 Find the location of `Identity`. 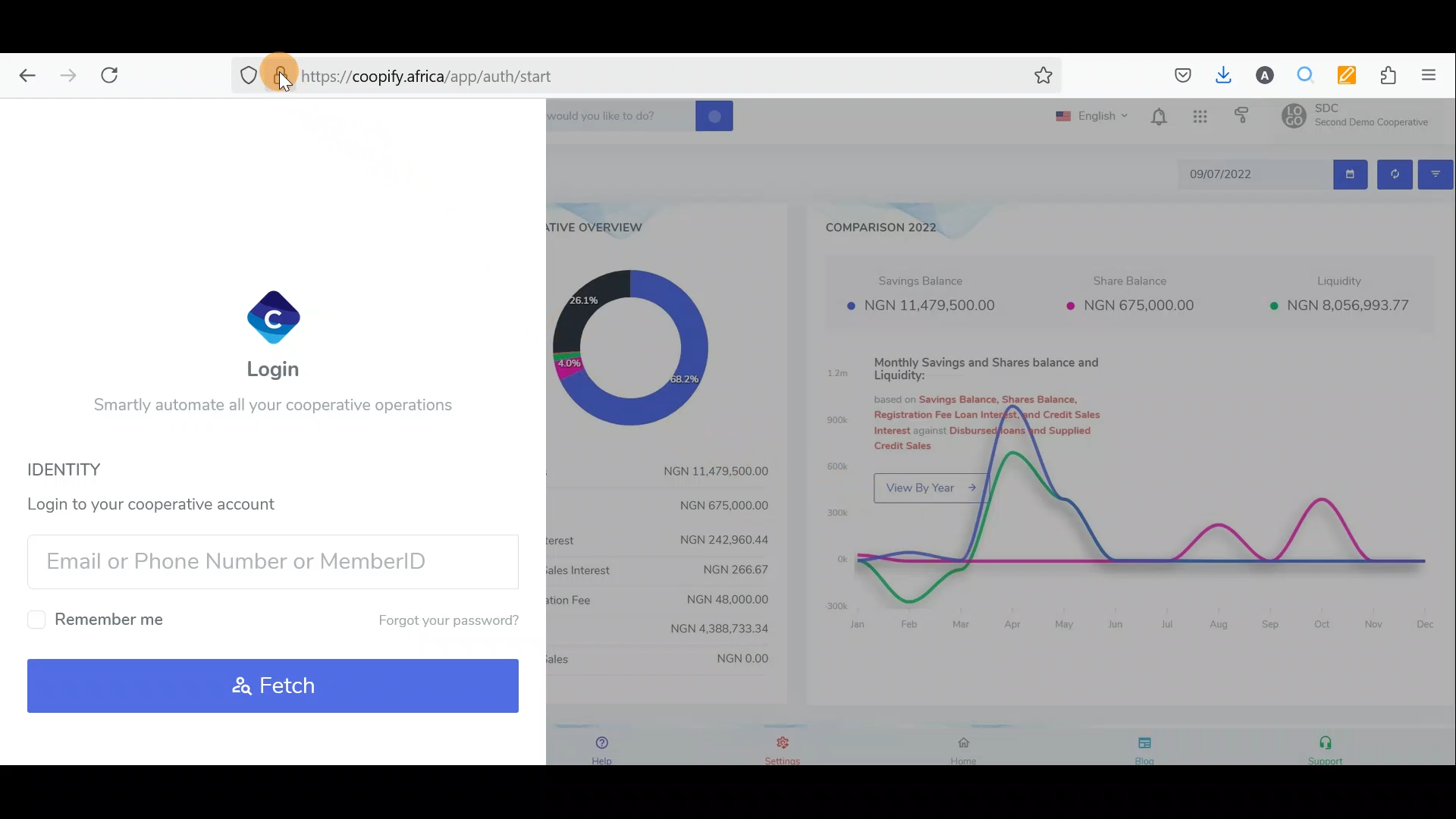

Identity is located at coordinates (86, 469).